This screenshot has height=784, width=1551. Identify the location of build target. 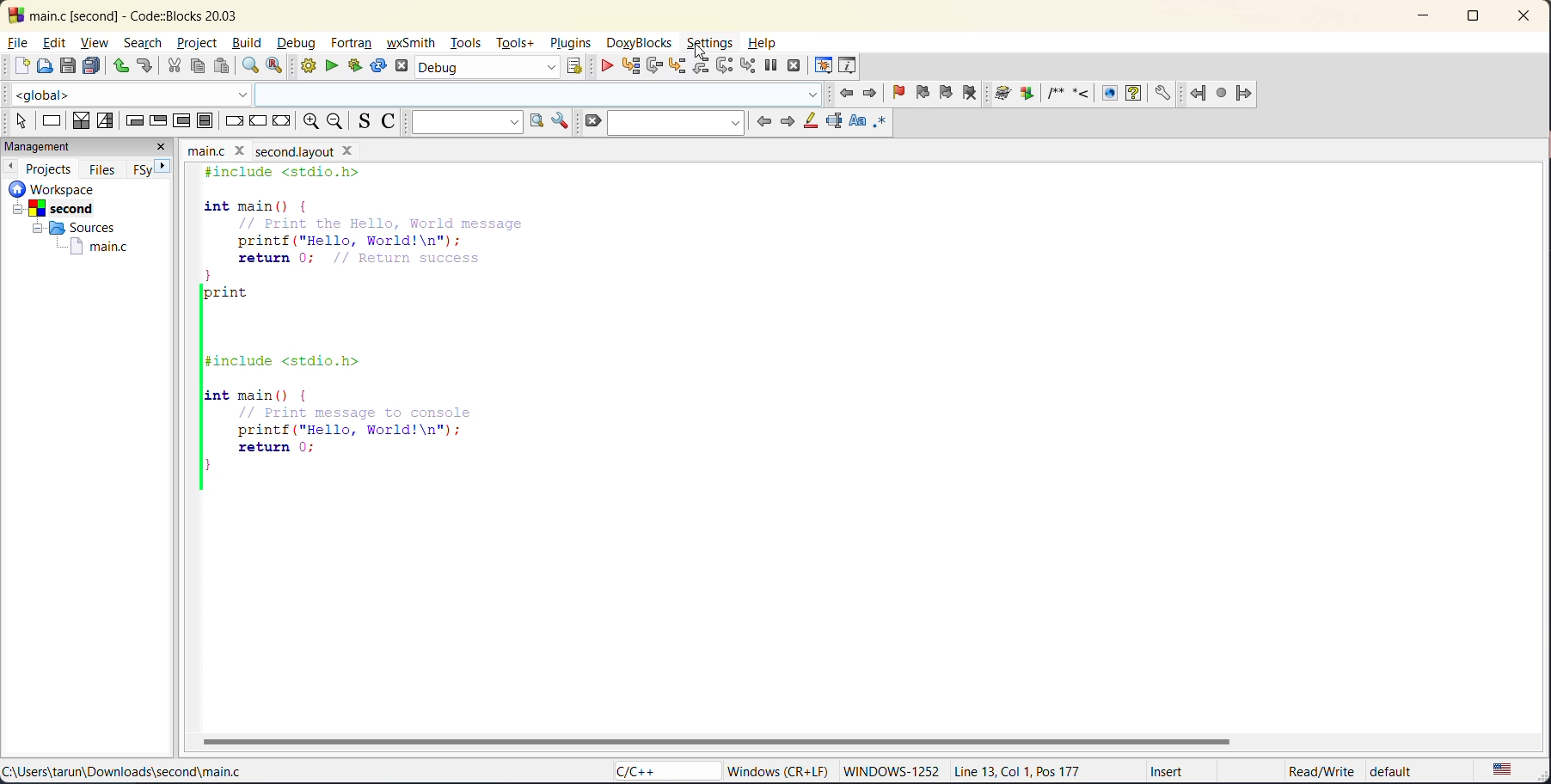
(487, 70).